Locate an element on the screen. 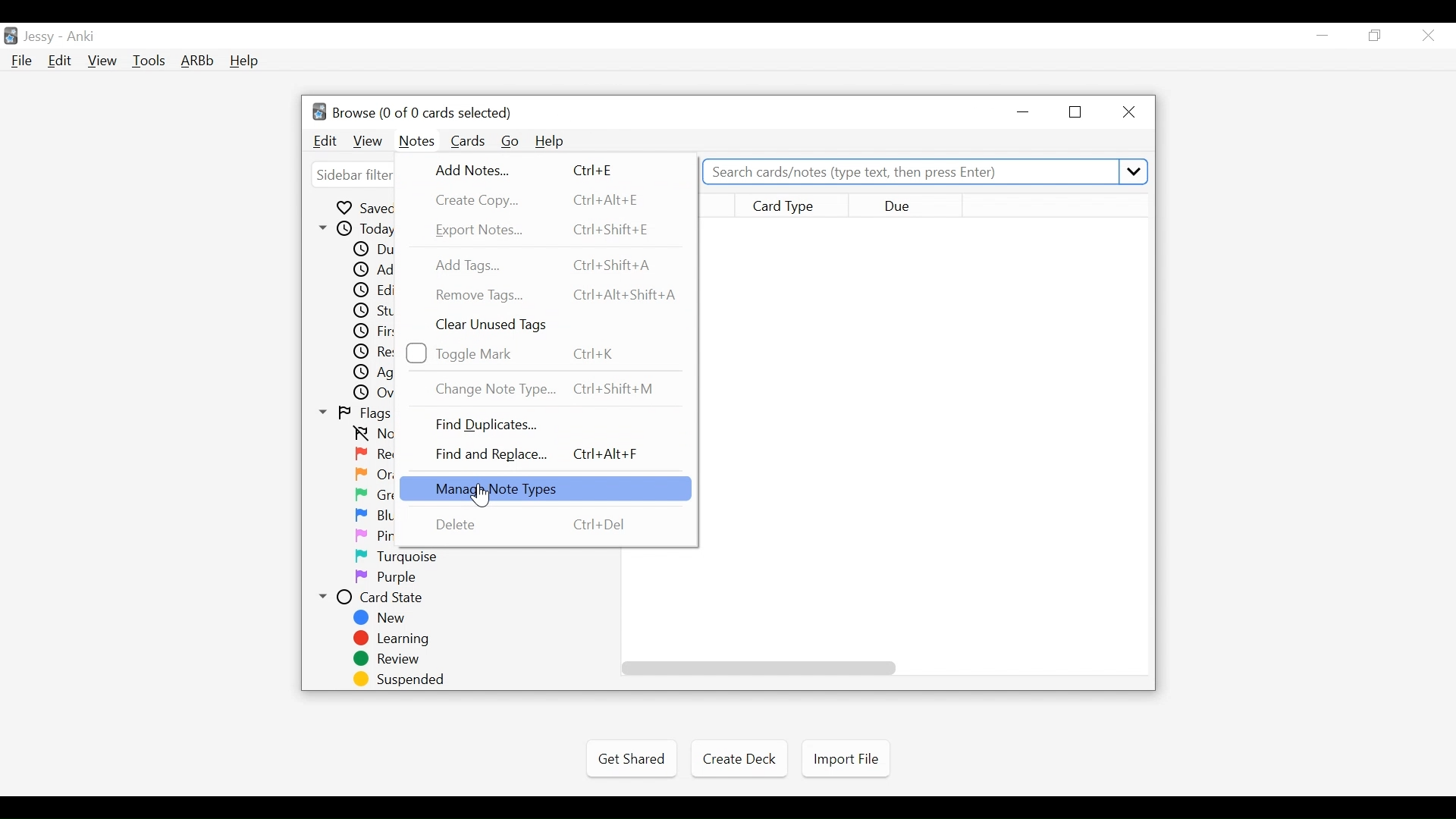  Search Cards/notes is located at coordinates (927, 172).